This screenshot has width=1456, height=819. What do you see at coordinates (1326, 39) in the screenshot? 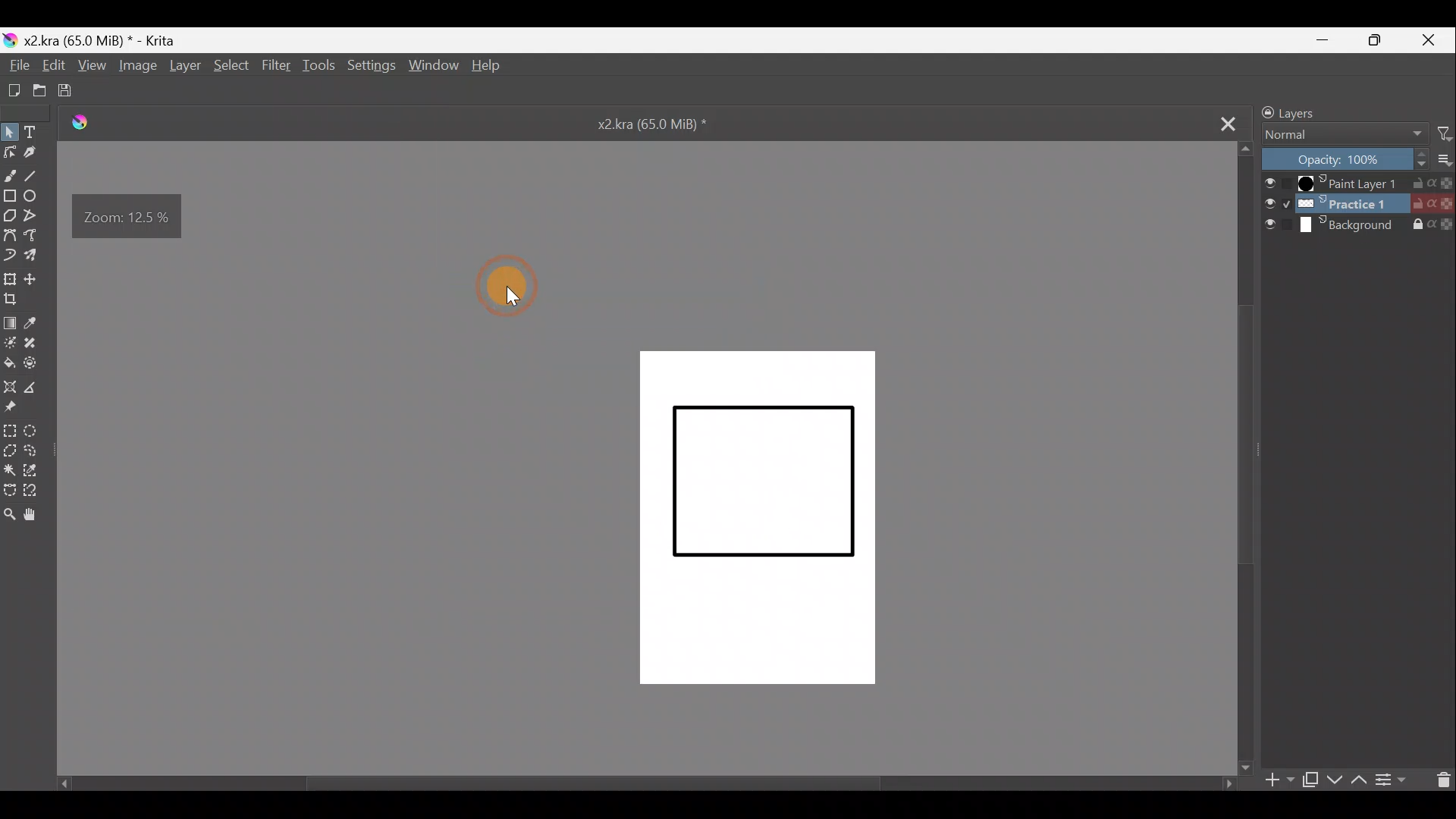
I see `Minimize` at bounding box center [1326, 39].